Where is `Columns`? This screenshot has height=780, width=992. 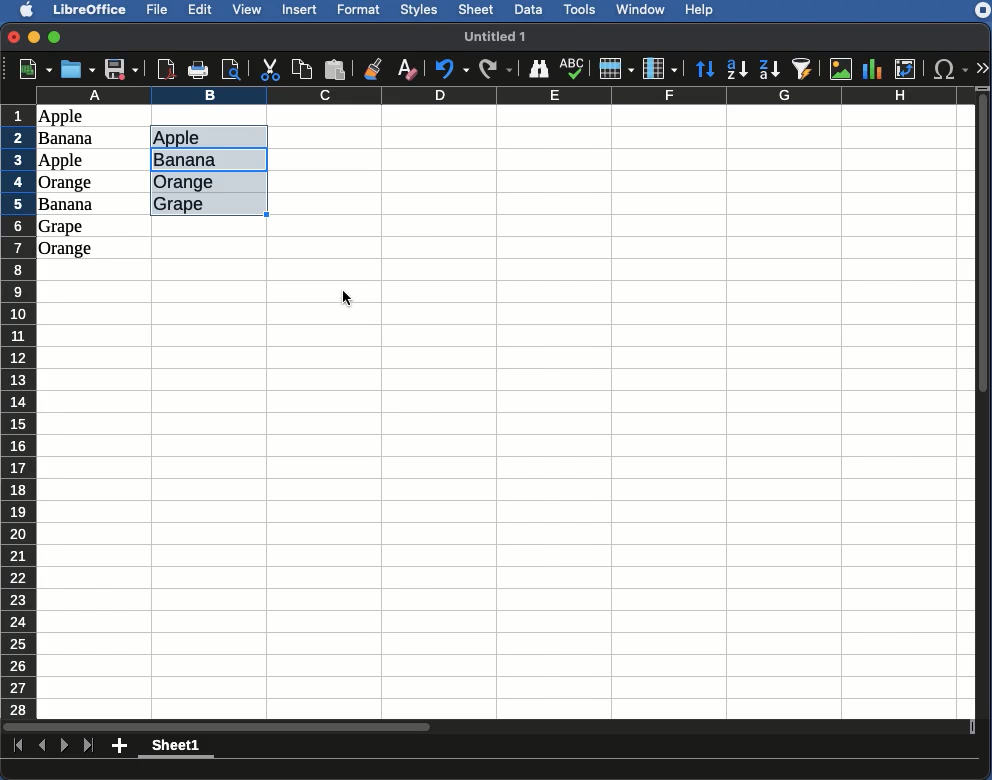 Columns is located at coordinates (502, 95).